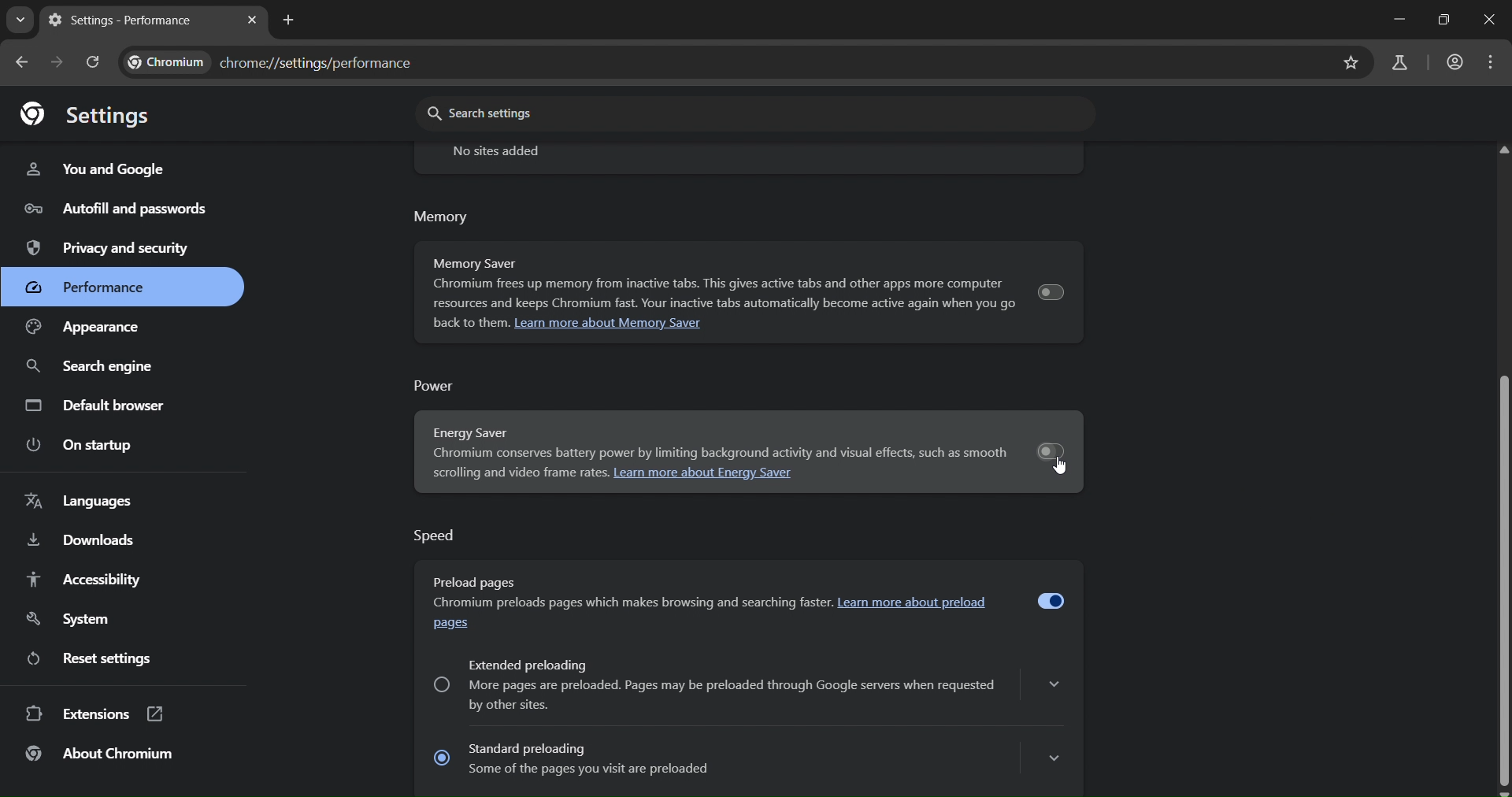 The height and width of the screenshot is (797, 1512). What do you see at coordinates (510, 432) in the screenshot?
I see `energy saver` at bounding box center [510, 432].